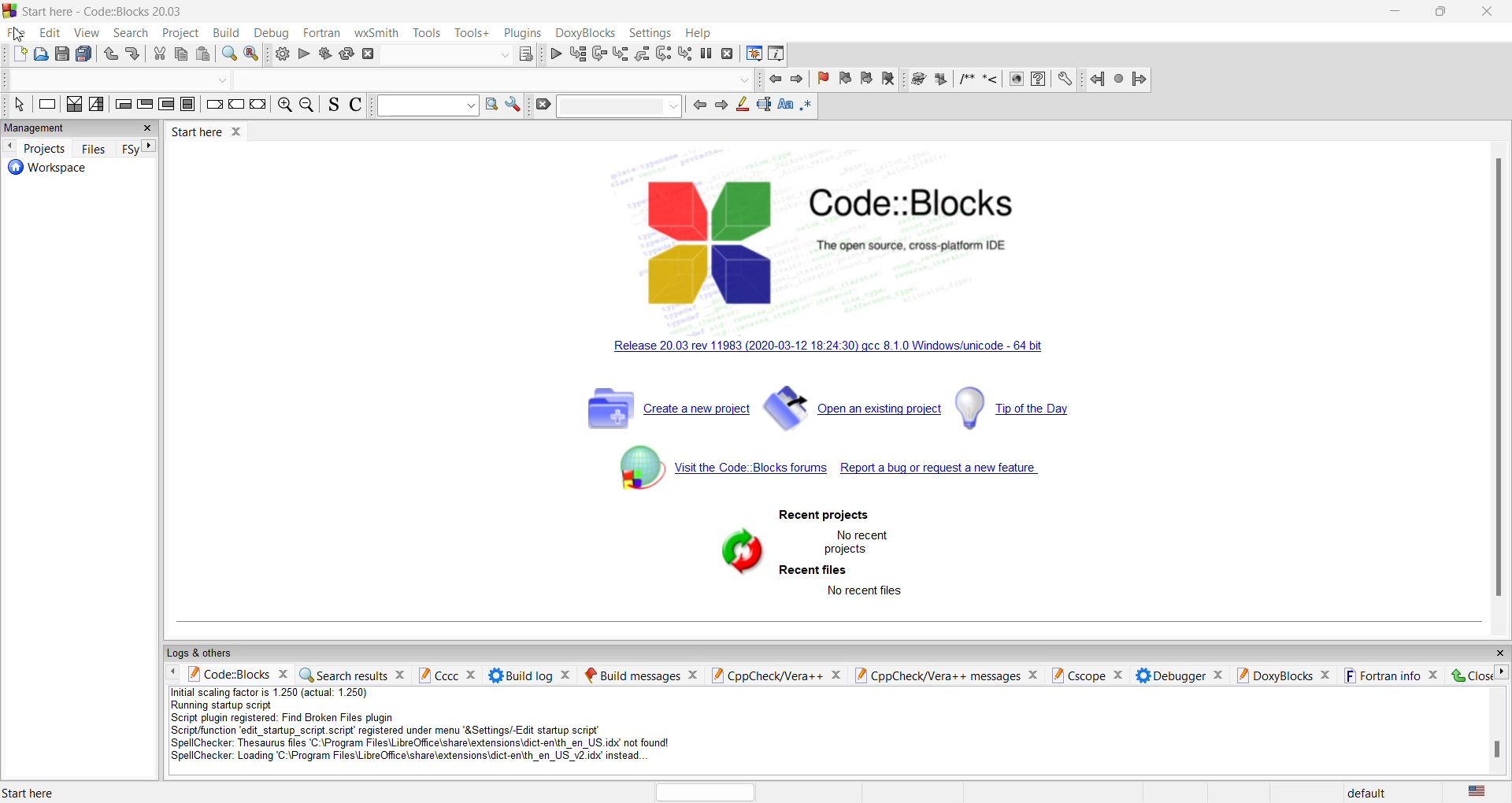 This screenshot has width=1512, height=803. What do you see at coordinates (698, 105) in the screenshot?
I see `previous` at bounding box center [698, 105].